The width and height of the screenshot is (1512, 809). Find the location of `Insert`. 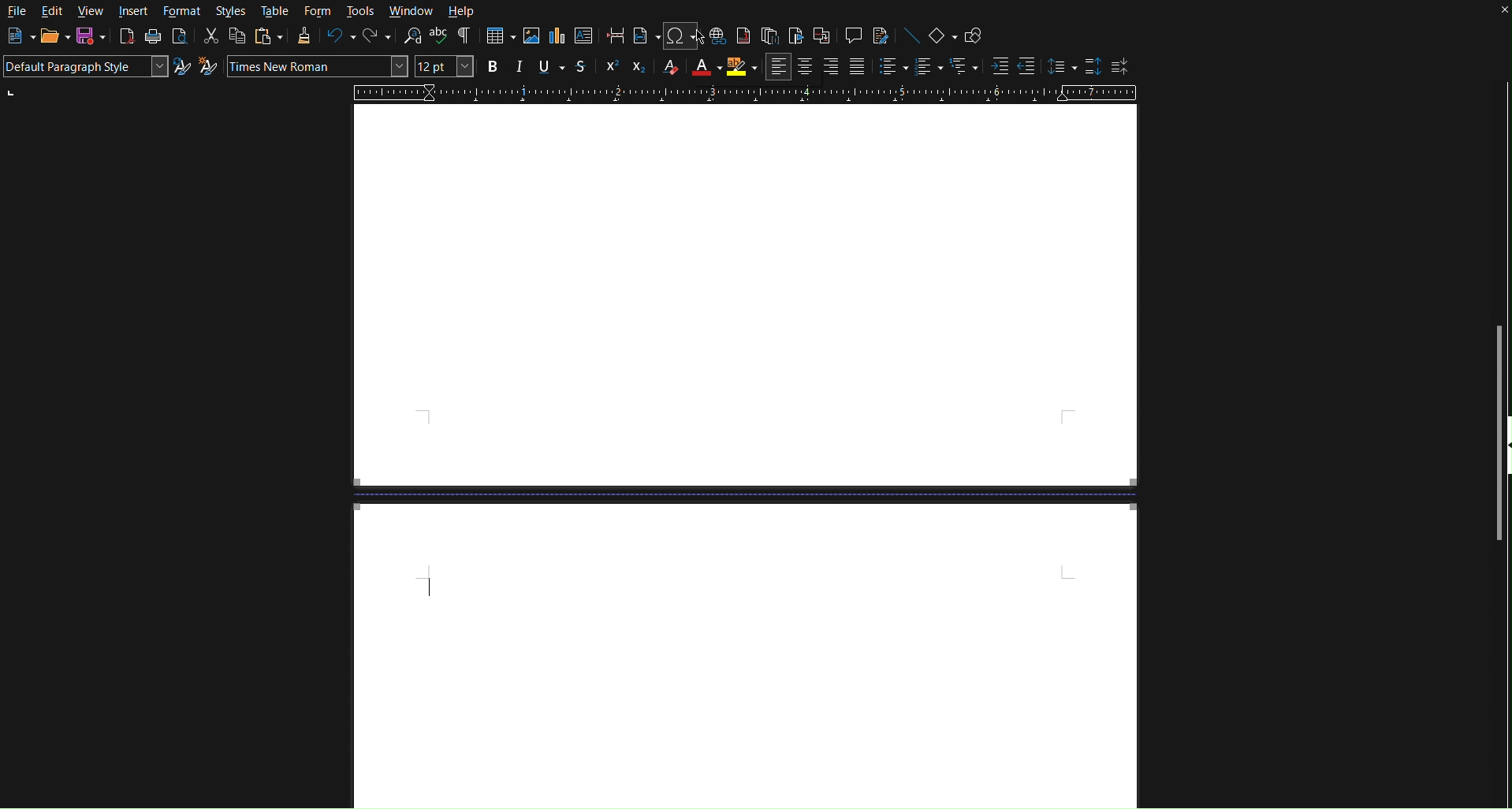

Insert is located at coordinates (134, 11).